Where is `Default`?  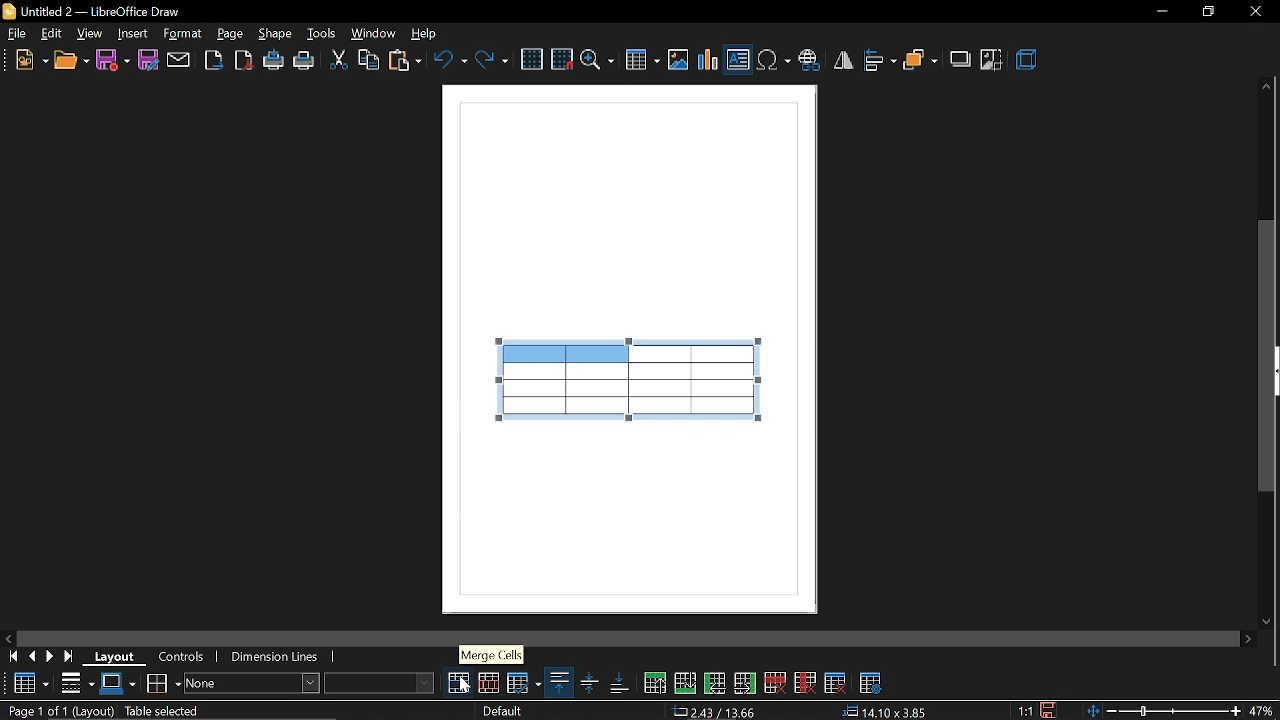 Default is located at coordinates (506, 711).